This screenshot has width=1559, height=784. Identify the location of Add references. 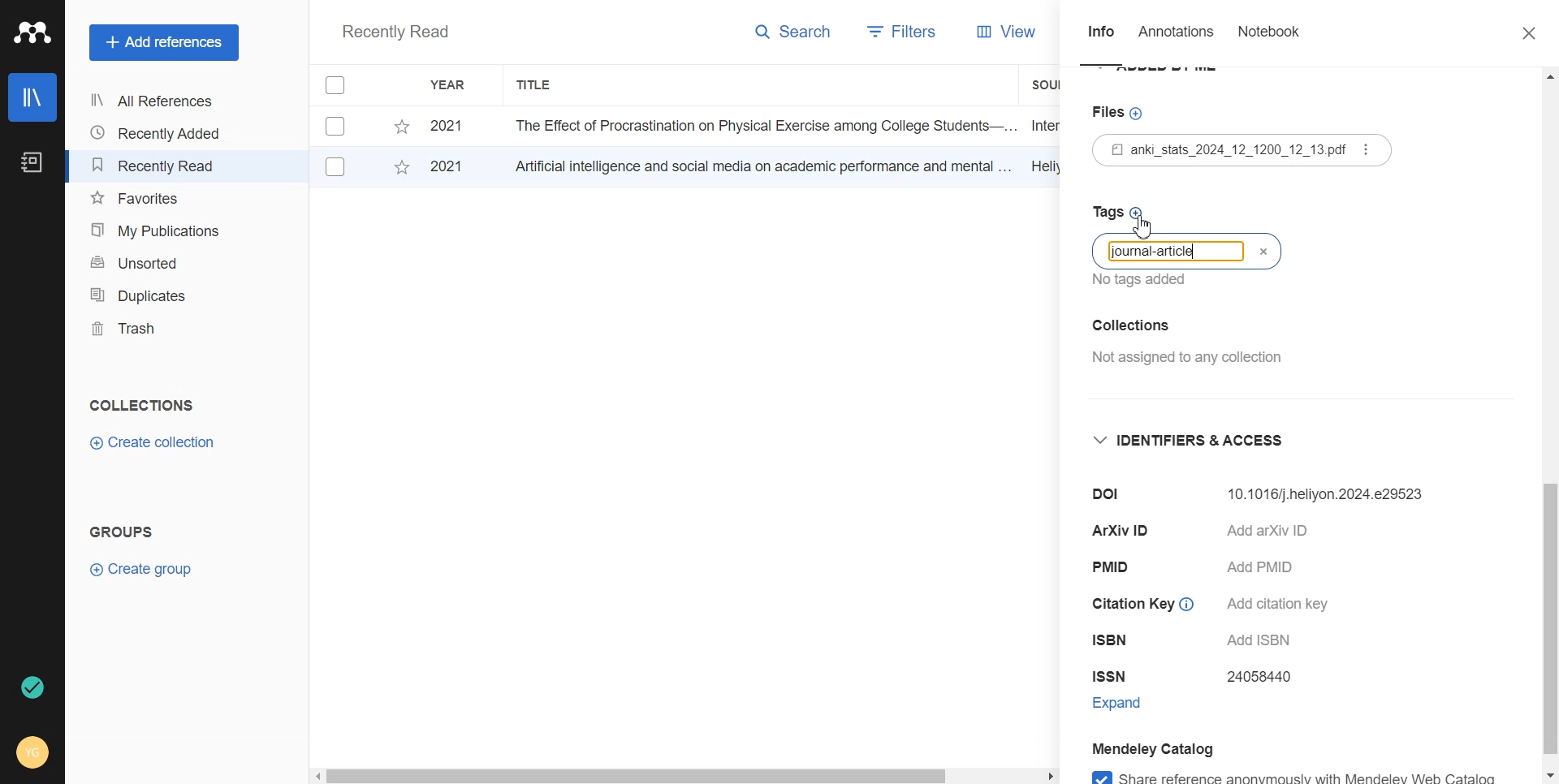
(164, 43).